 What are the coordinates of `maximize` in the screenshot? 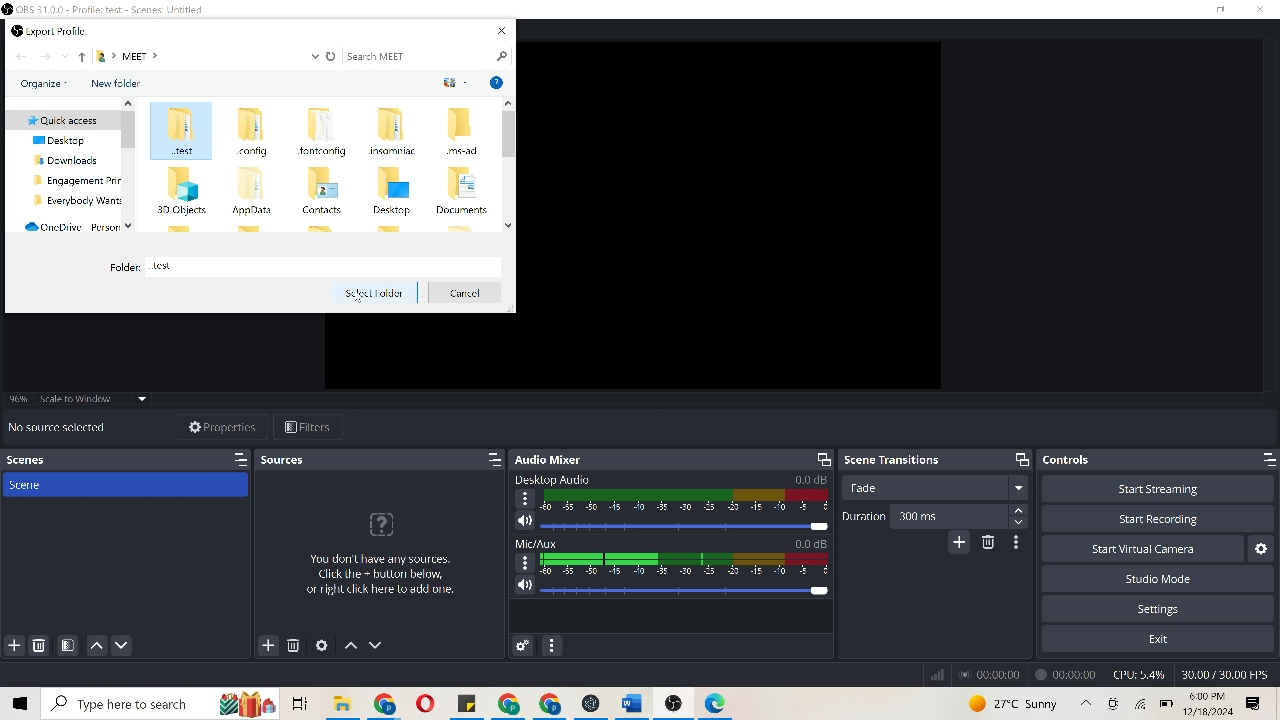 It's located at (484, 459).